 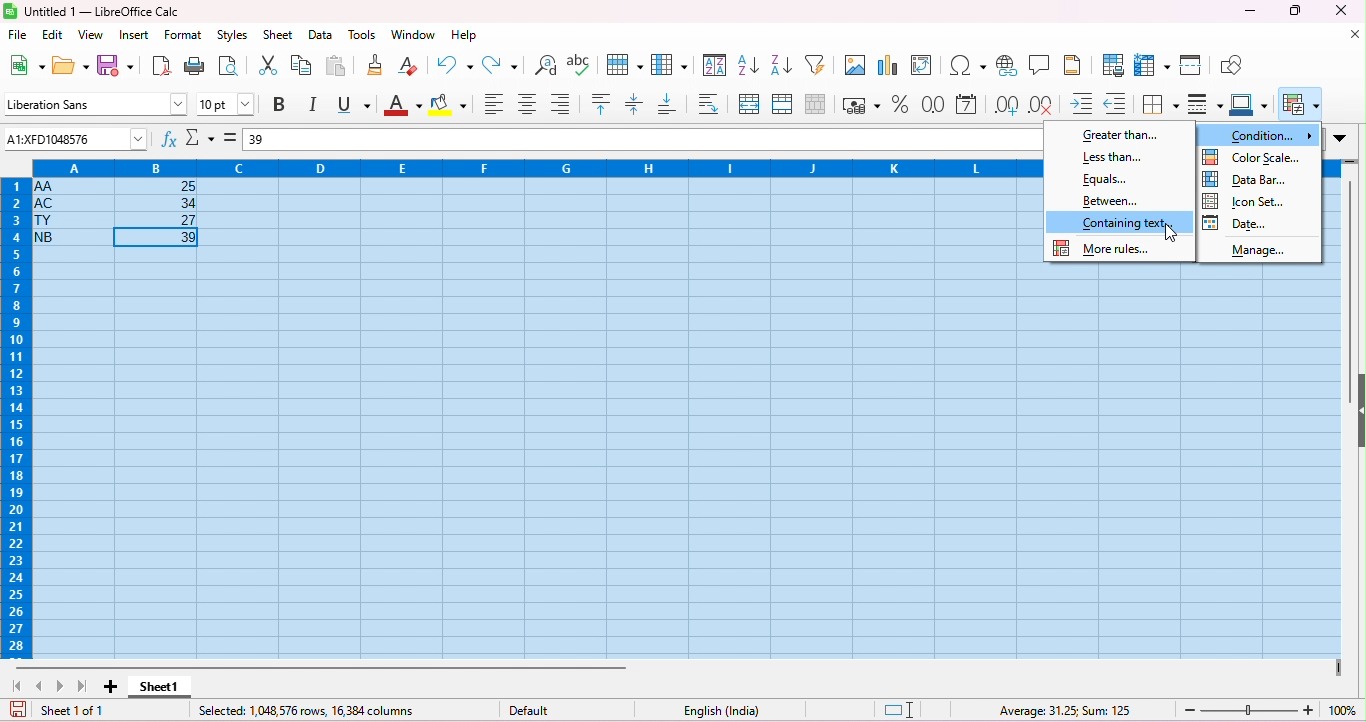 What do you see at coordinates (1357, 409) in the screenshot?
I see `hide` at bounding box center [1357, 409].